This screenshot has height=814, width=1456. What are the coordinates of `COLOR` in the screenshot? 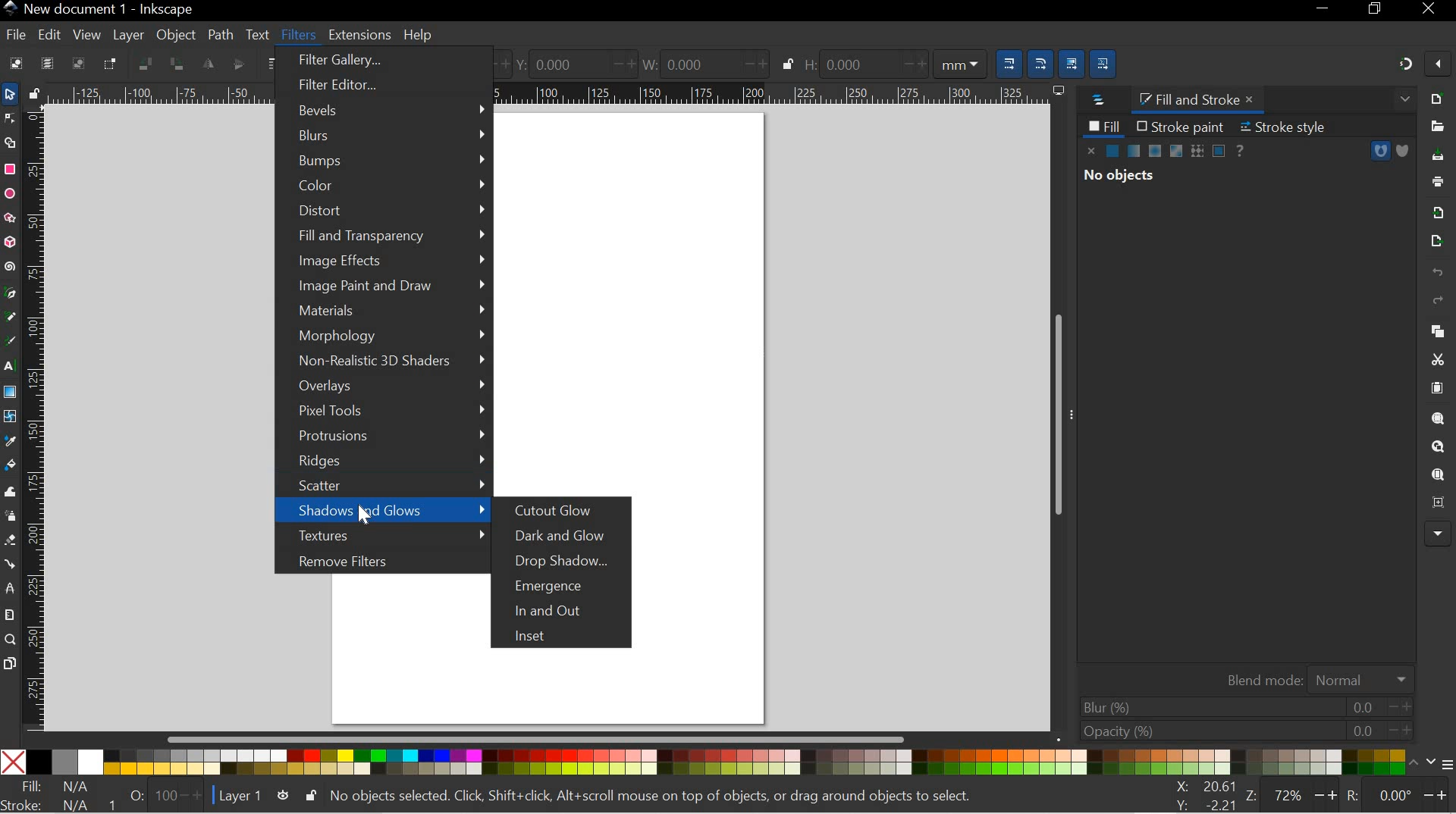 It's located at (384, 186).